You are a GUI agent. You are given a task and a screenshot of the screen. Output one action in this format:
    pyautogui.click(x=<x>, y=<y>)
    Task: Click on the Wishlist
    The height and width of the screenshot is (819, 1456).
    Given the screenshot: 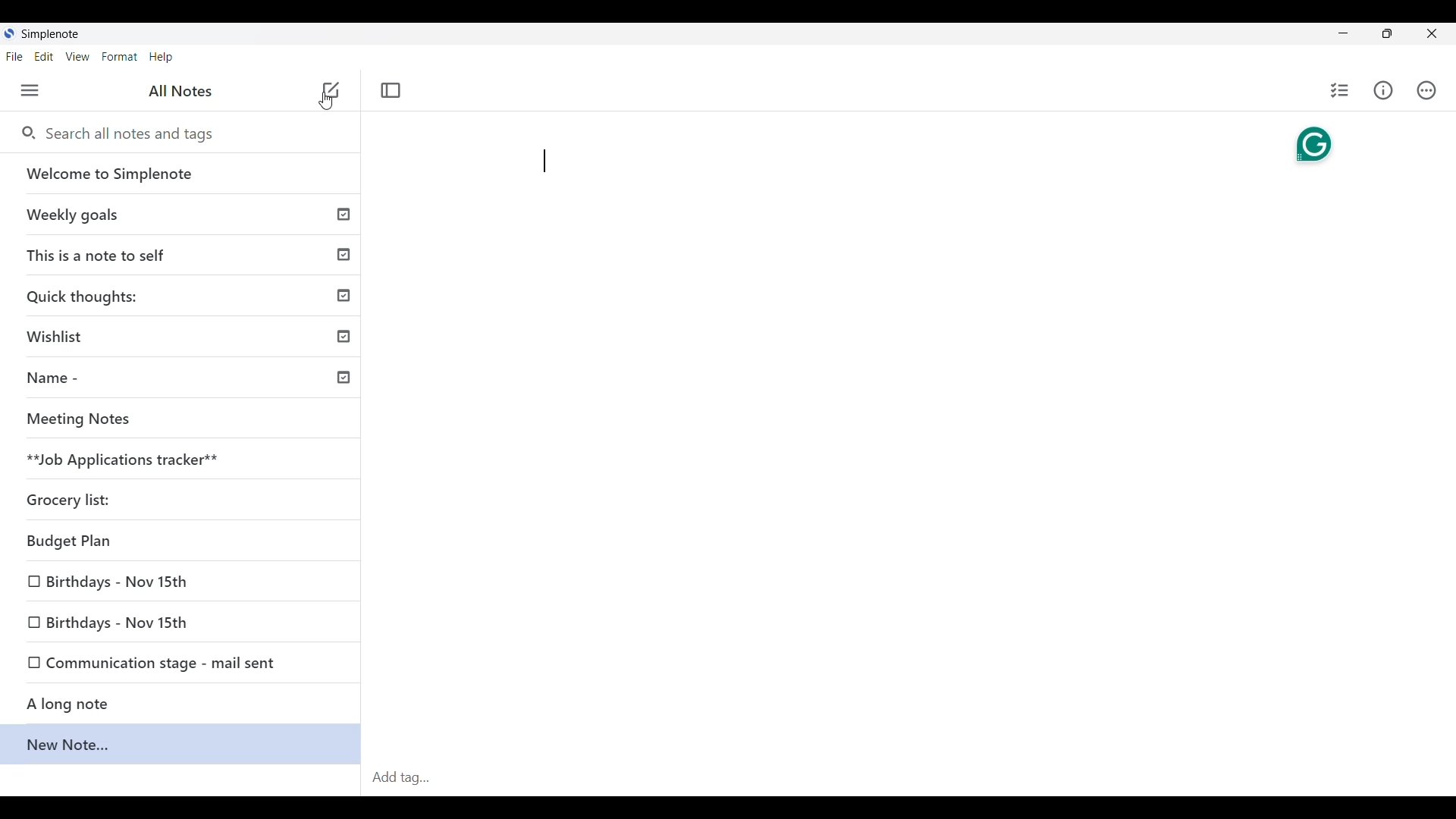 What is the action you would take?
    pyautogui.click(x=184, y=335)
    